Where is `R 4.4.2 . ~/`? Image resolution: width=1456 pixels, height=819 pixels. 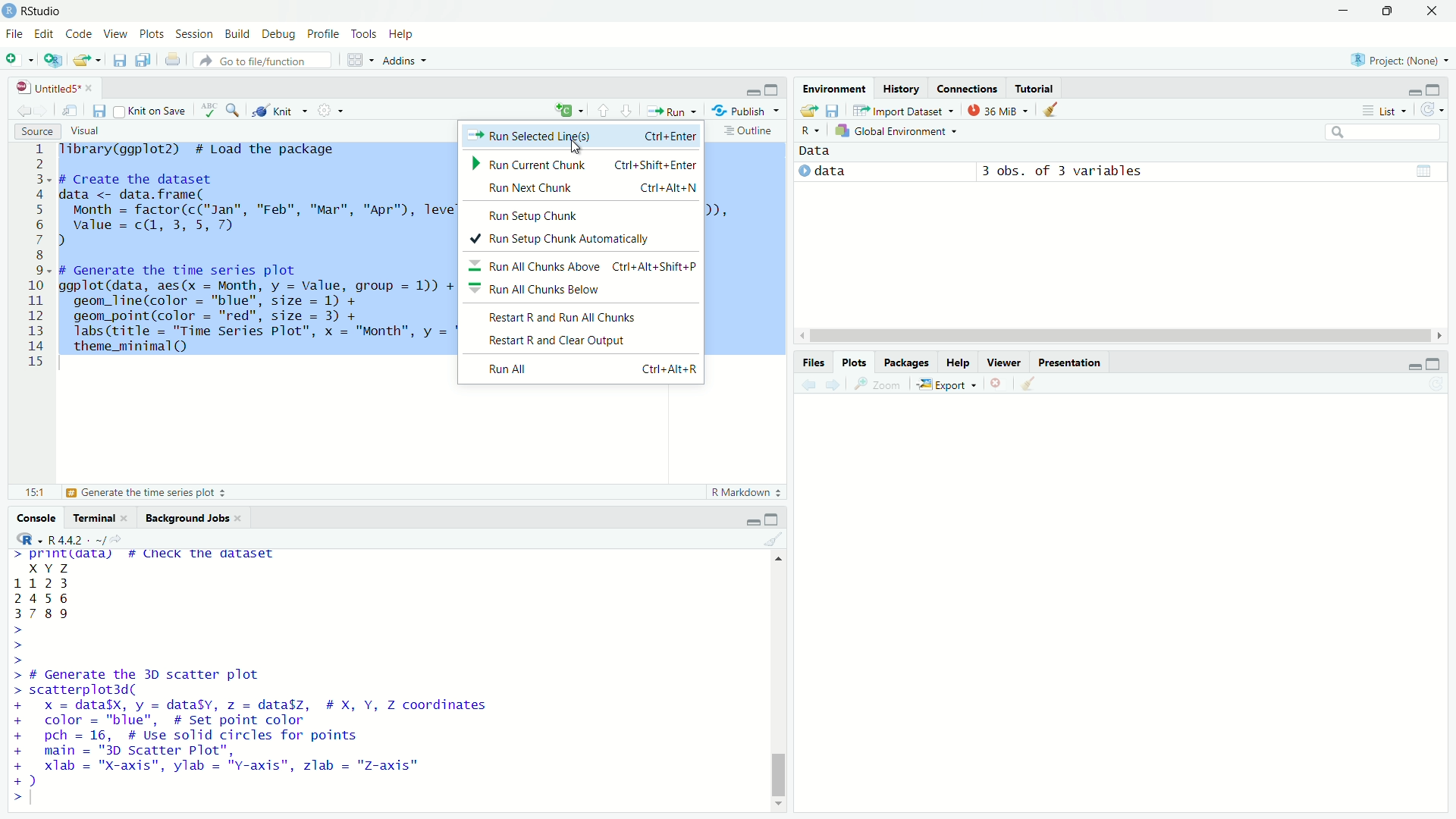
R 4.4.2 . ~/ is located at coordinates (77, 539).